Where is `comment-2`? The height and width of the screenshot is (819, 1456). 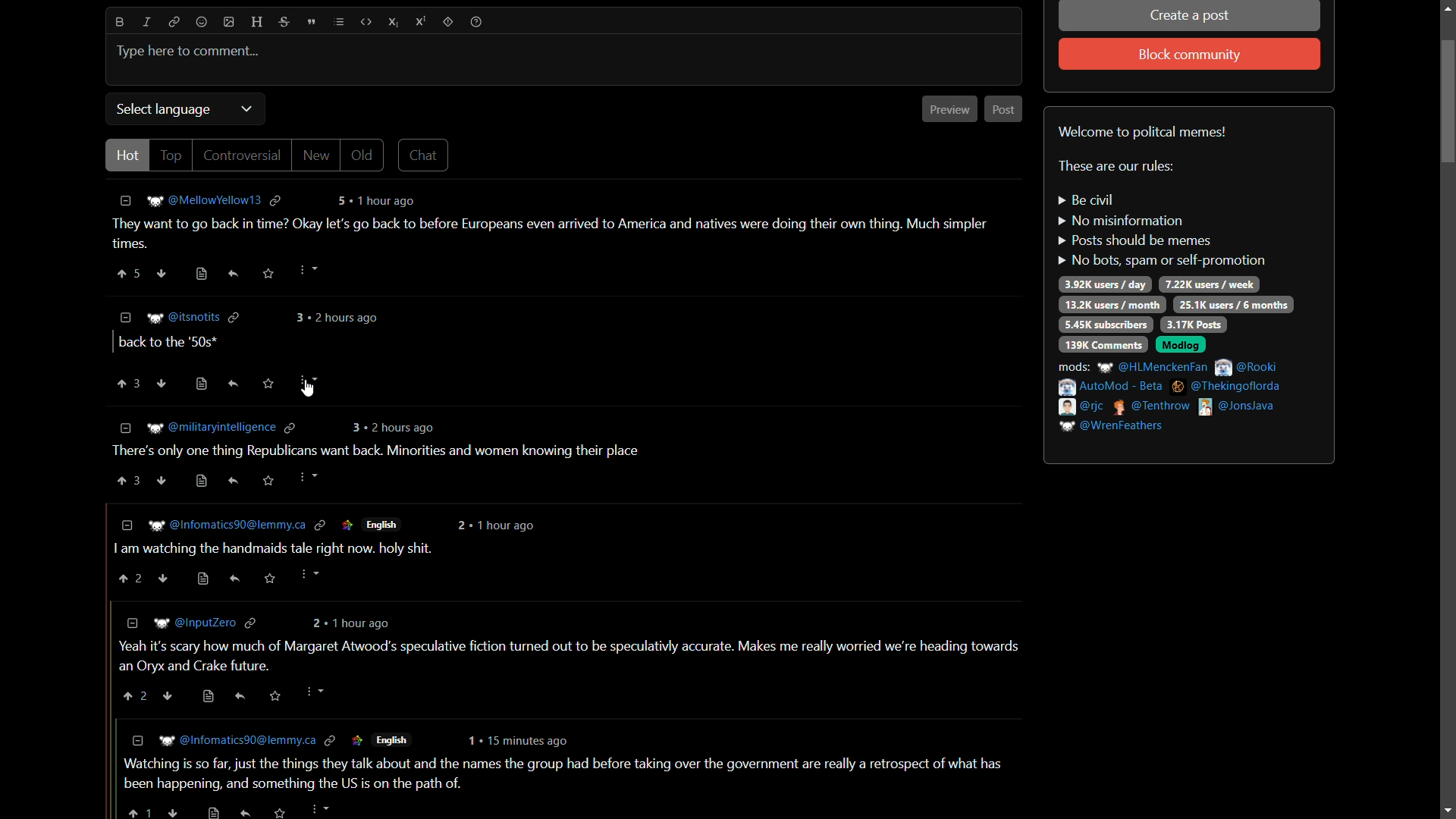 comment-2 is located at coordinates (167, 344).